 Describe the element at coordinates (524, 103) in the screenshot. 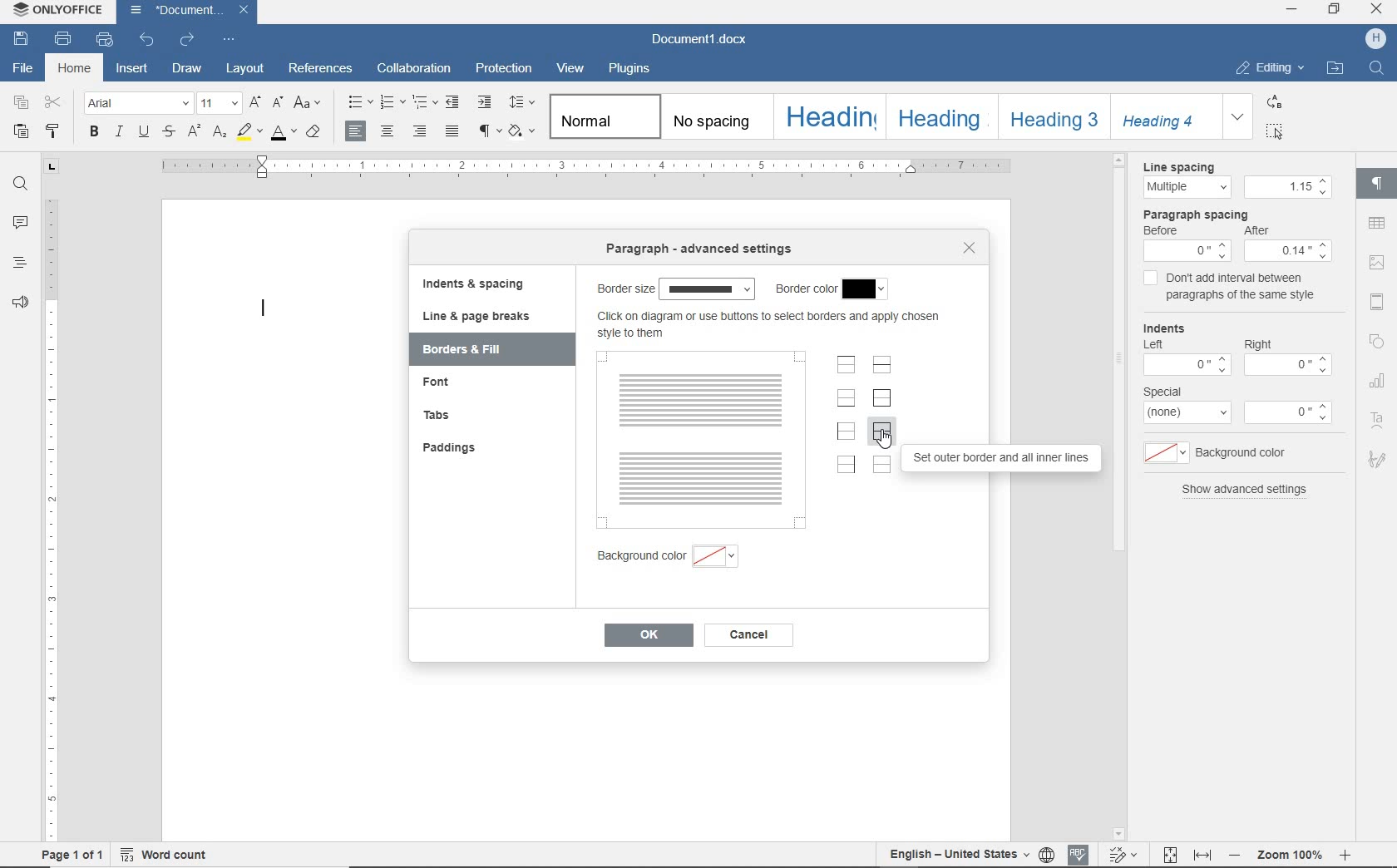

I see `paragraph line spacing` at that location.